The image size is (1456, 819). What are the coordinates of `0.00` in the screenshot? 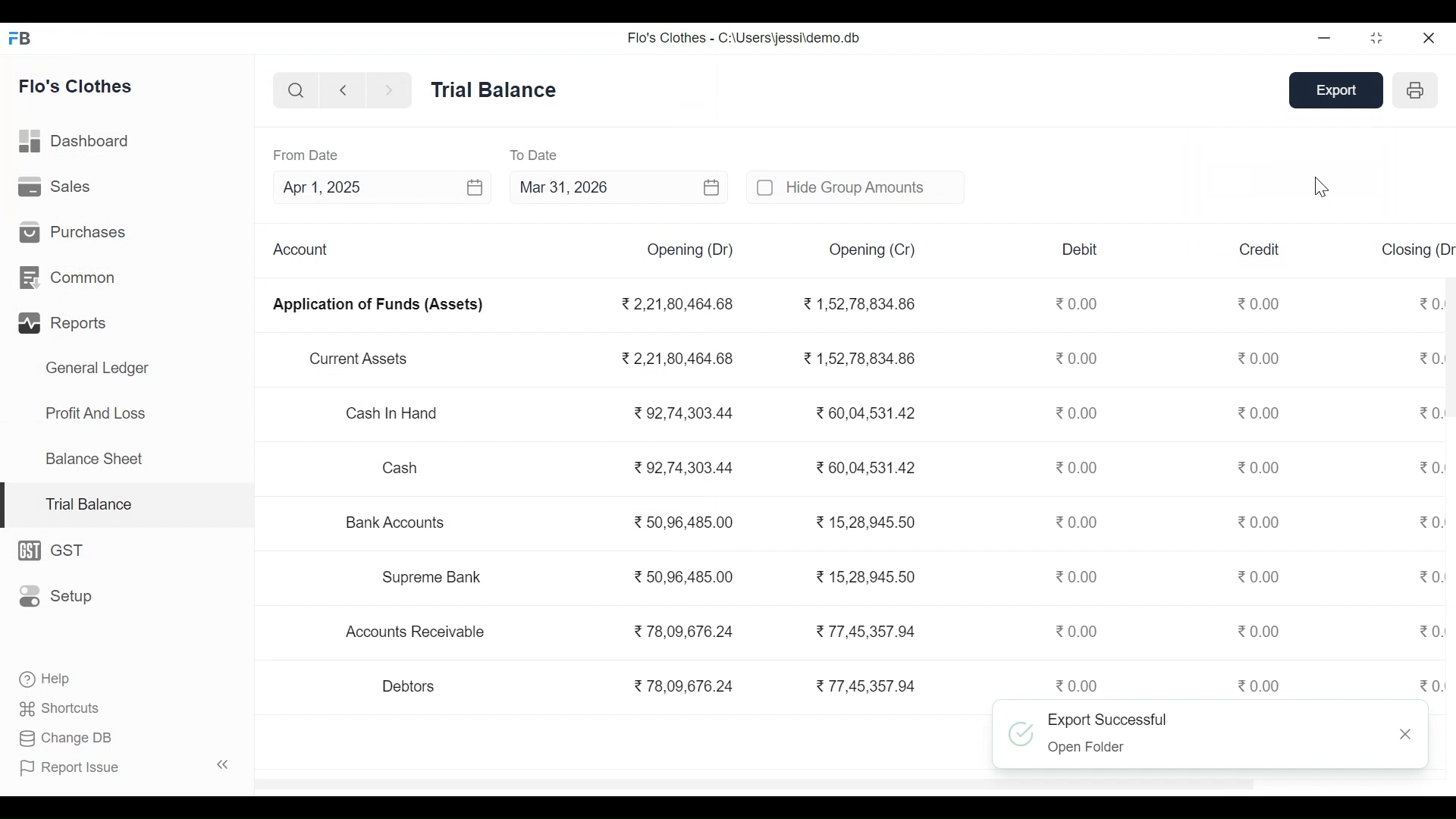 It's located at (1261, 413).